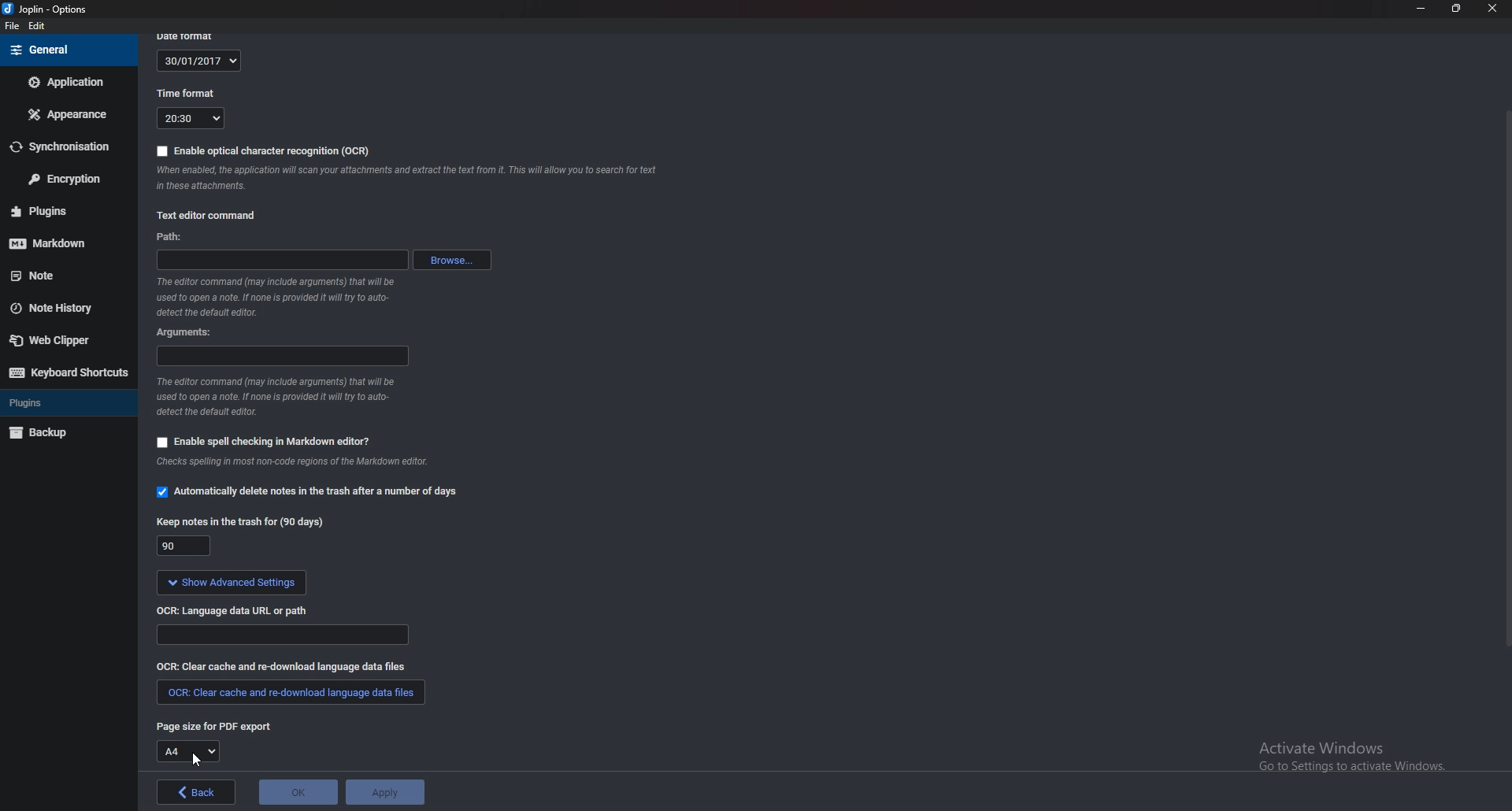 The image size is (1512, 811). What do you see at coordinates (298, 793) in the screenshot?
I see `ok` at bounding box center [298, 793].